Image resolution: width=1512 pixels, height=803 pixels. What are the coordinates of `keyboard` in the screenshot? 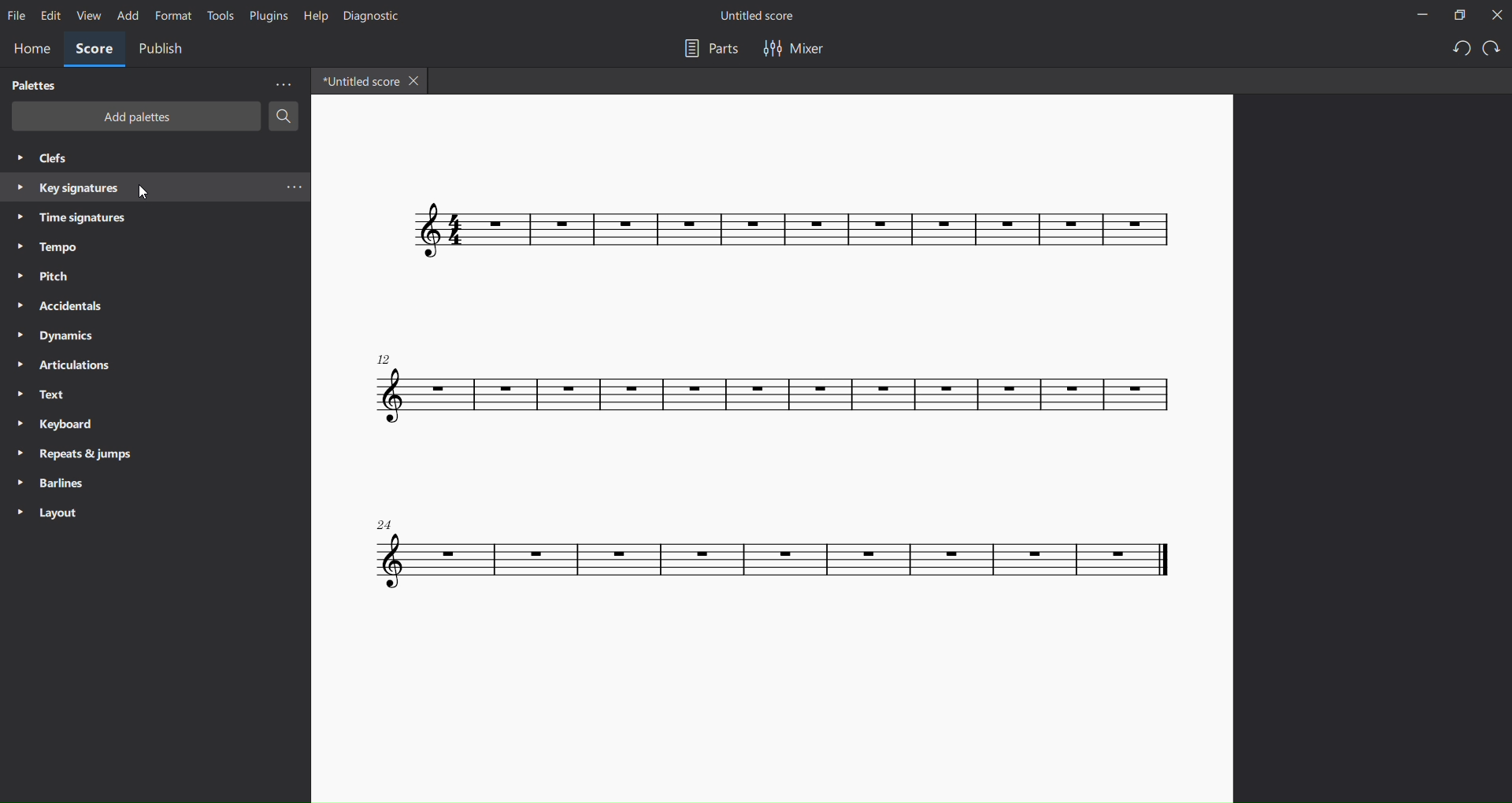 It's located at (58, 424).